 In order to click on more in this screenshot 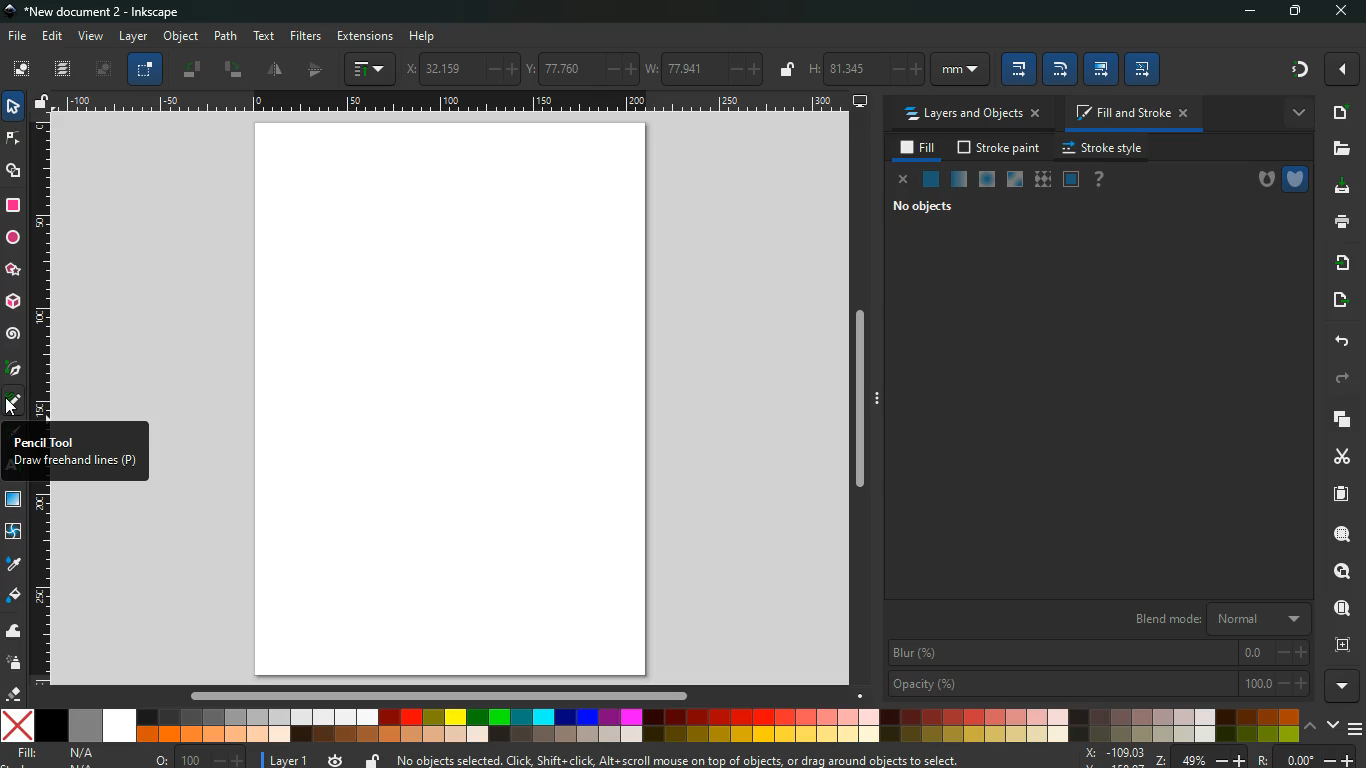, I will do `click(1300, 116)`.